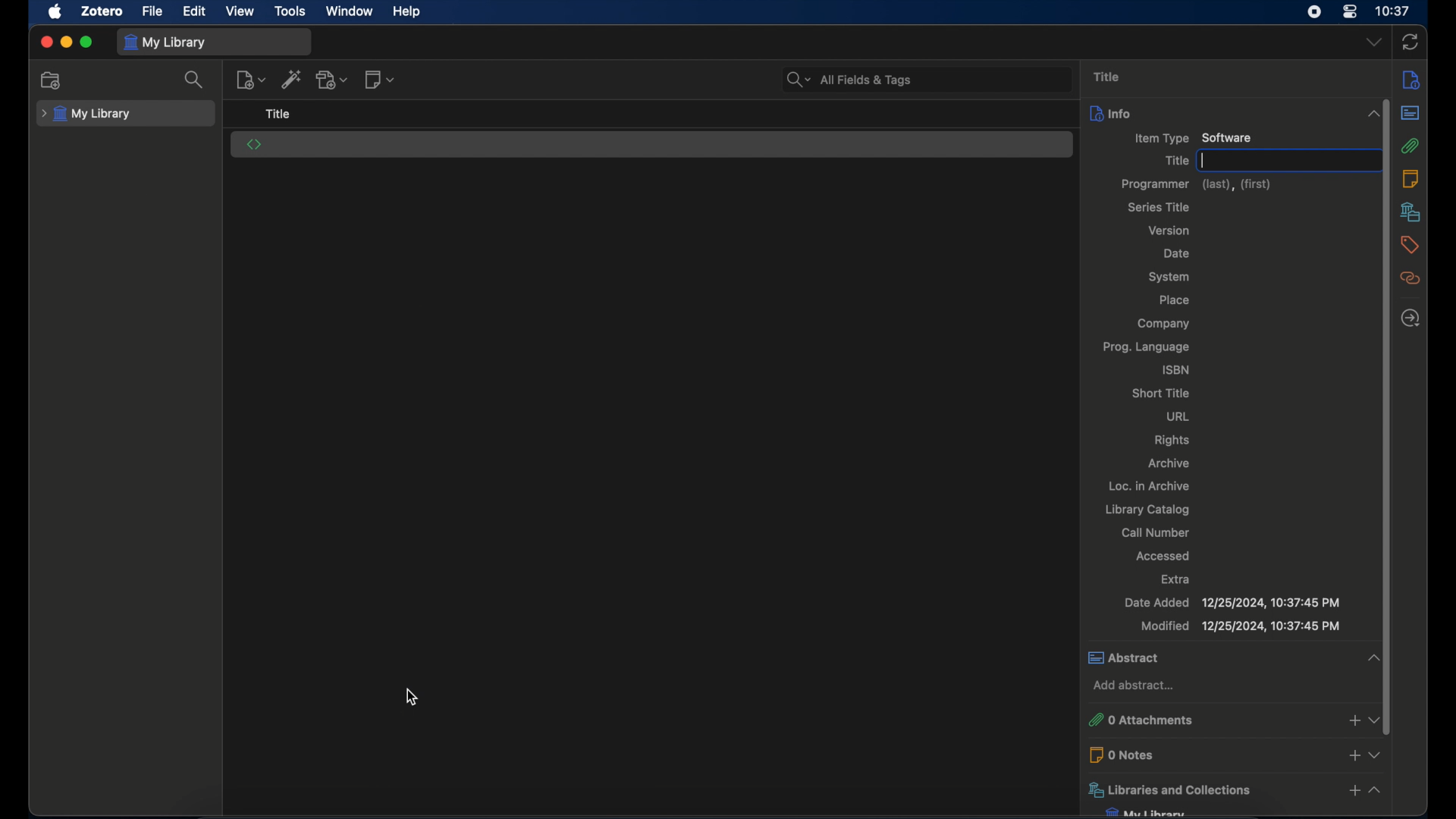 Image resolution: width=1456 pixels, height=819 pixels. I want to click on close, so click(45, 42).